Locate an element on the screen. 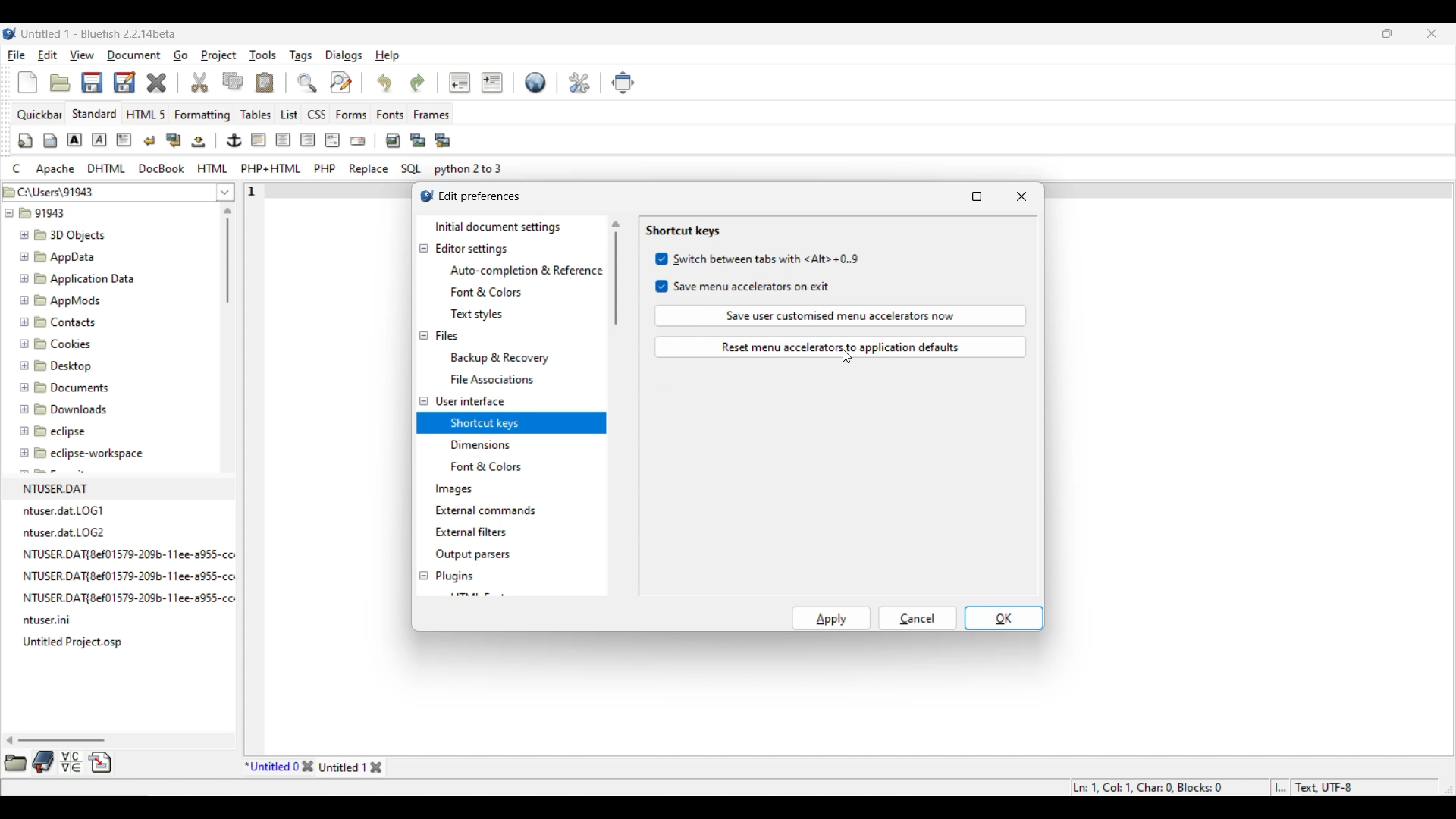  Close is located at coordinates (156, 83).